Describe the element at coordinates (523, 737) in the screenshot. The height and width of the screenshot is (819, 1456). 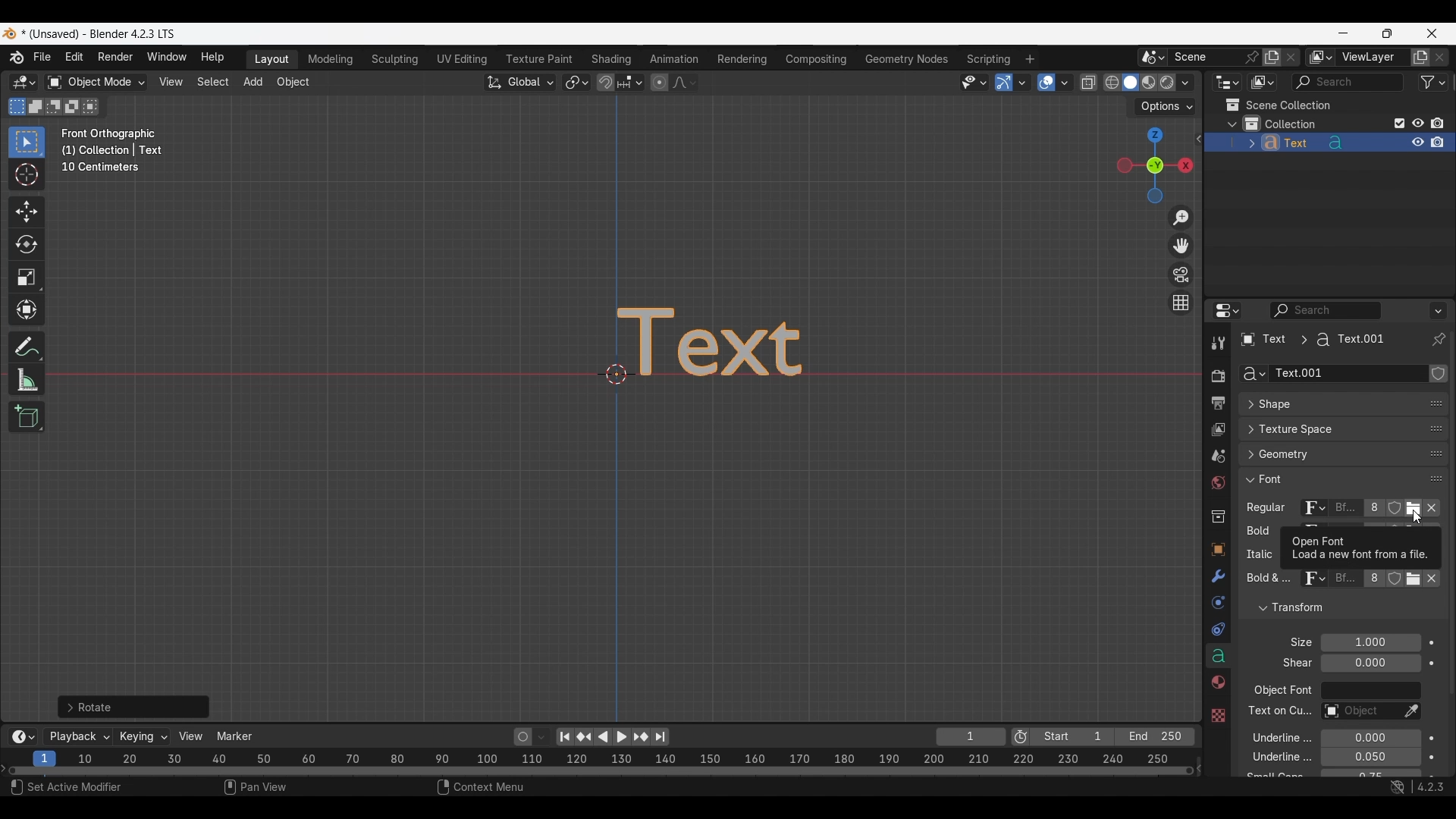
I see `Auto keying ` at that location.